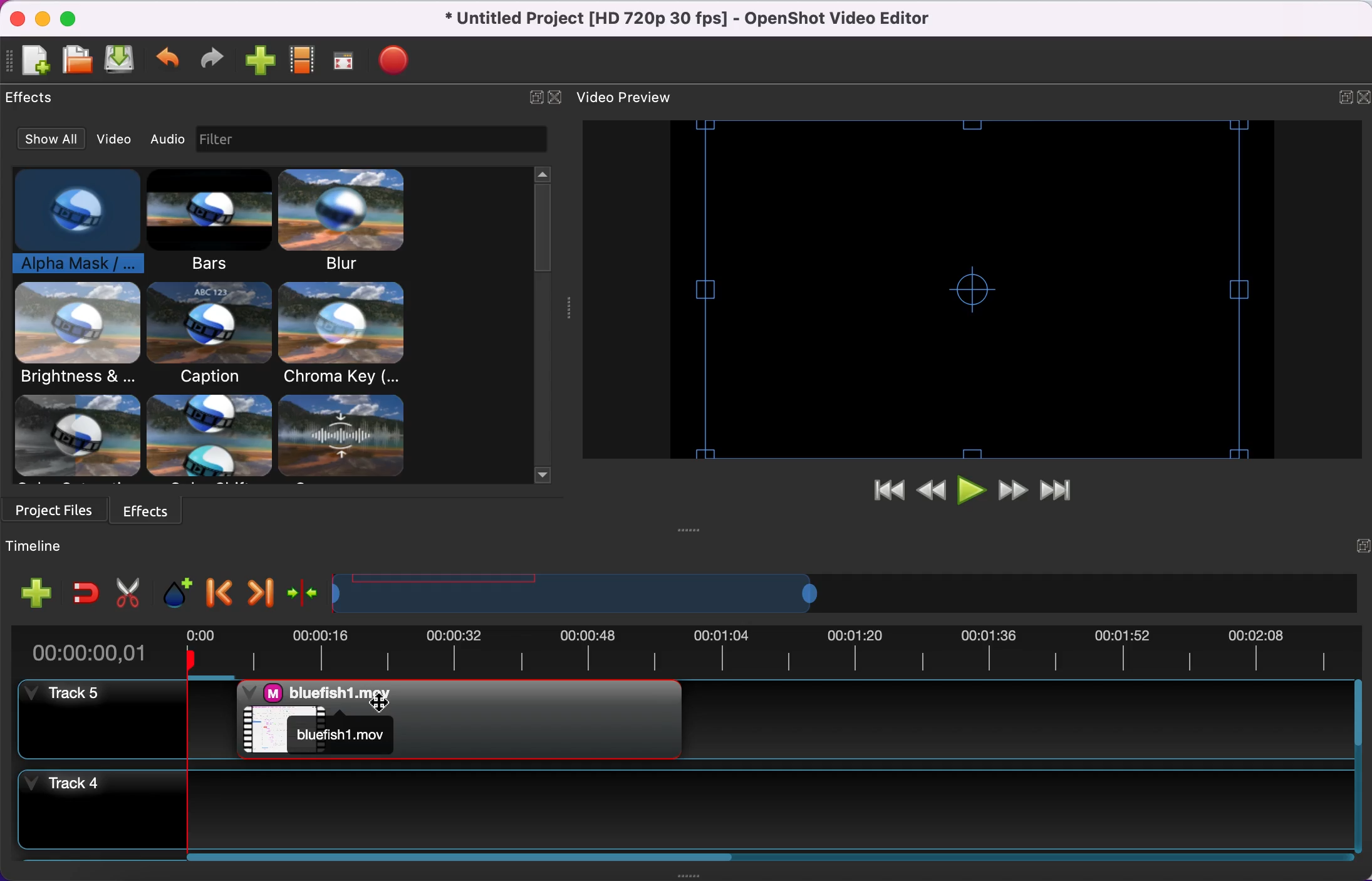 Image resolution: width=1372 pixels, height=881 pixels. Describe the element at coordinates (965, 288) in the screenshot. I see `video preview` at that location.